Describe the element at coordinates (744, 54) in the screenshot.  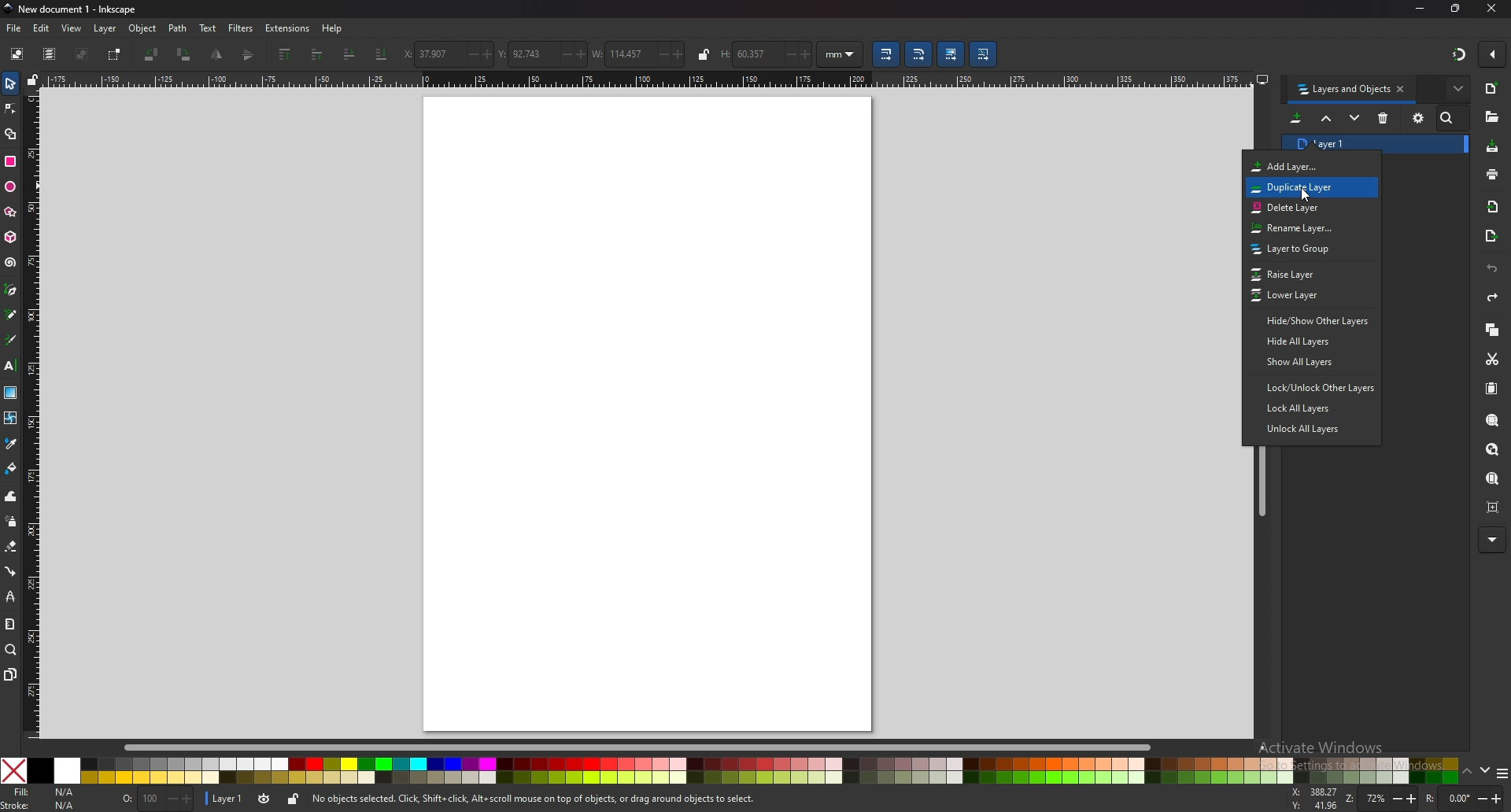
I see `height` at that location.